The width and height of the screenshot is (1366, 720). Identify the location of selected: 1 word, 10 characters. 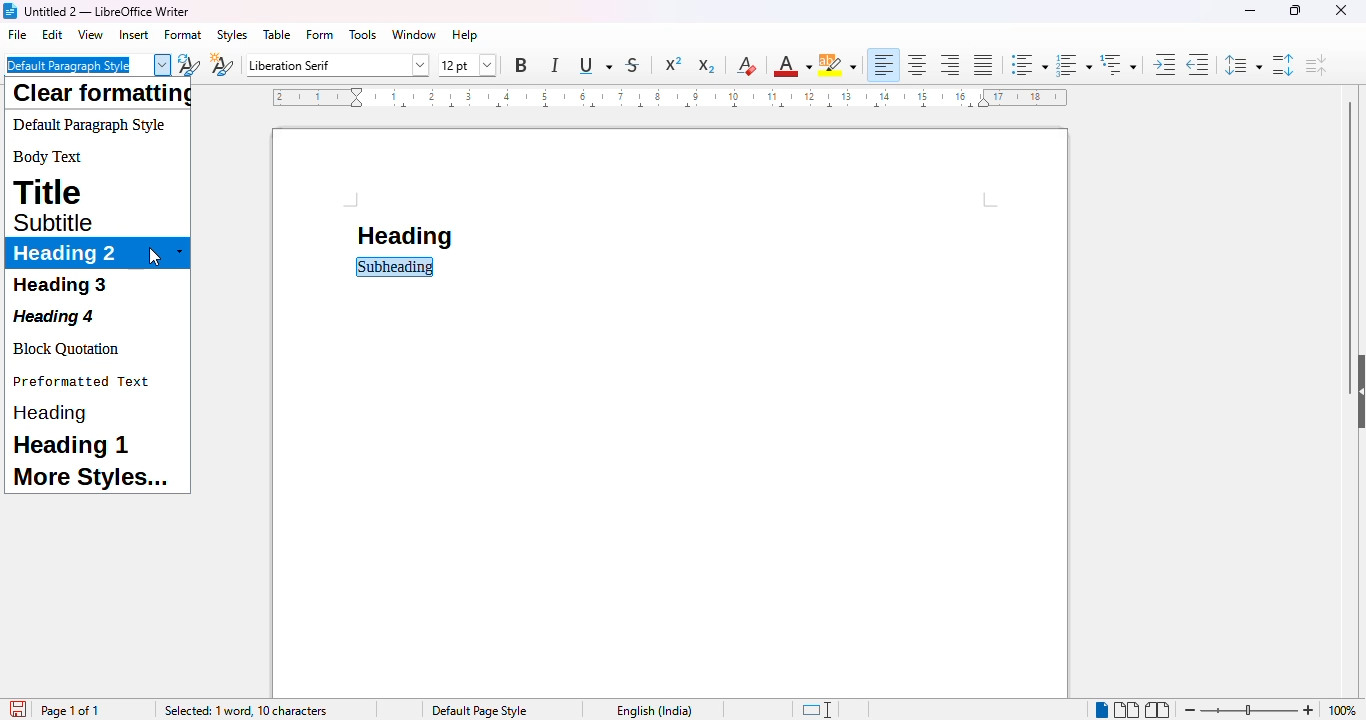
(246, 711).